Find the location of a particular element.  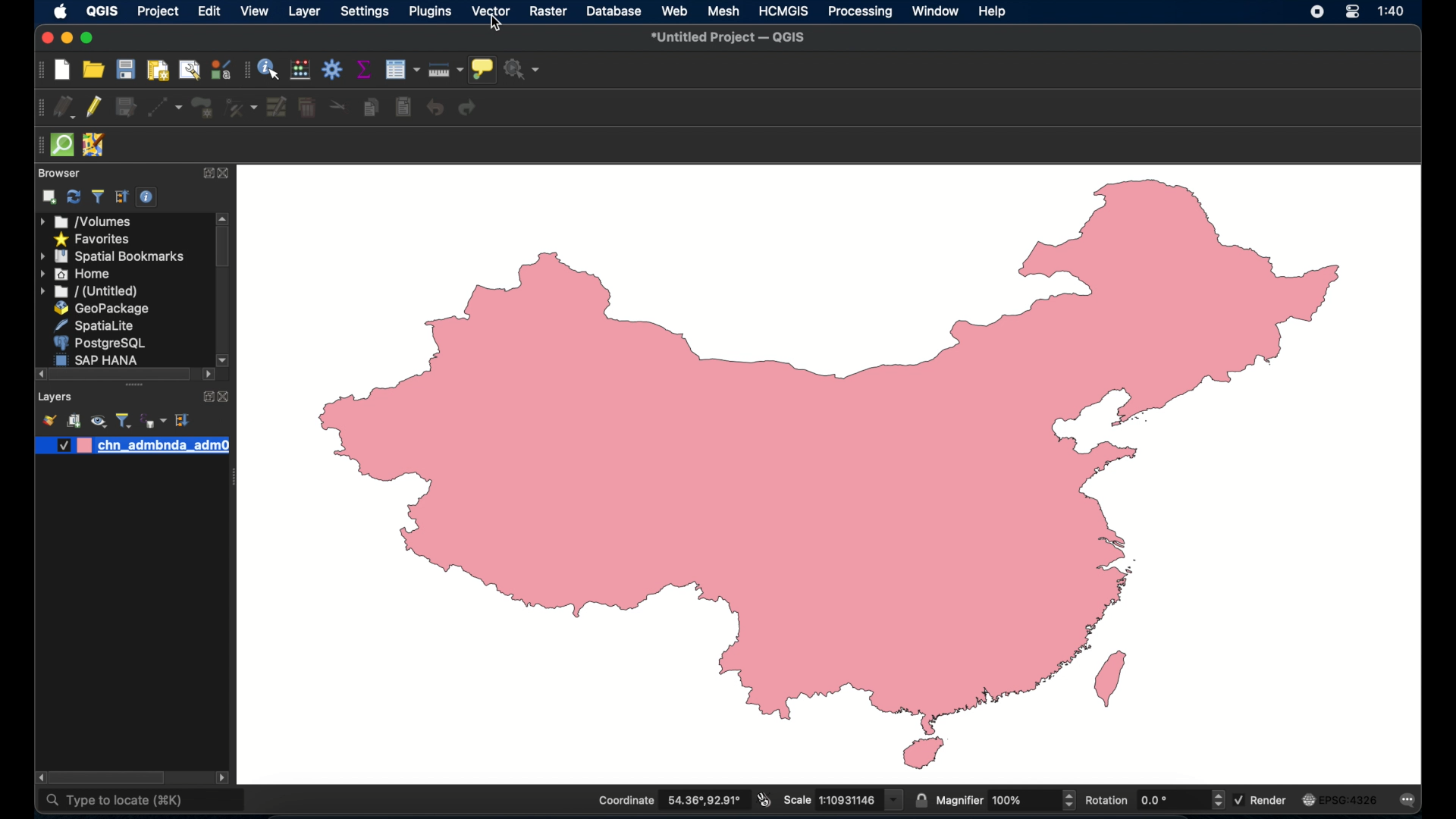

favorites is located at coordinates (95, 240).